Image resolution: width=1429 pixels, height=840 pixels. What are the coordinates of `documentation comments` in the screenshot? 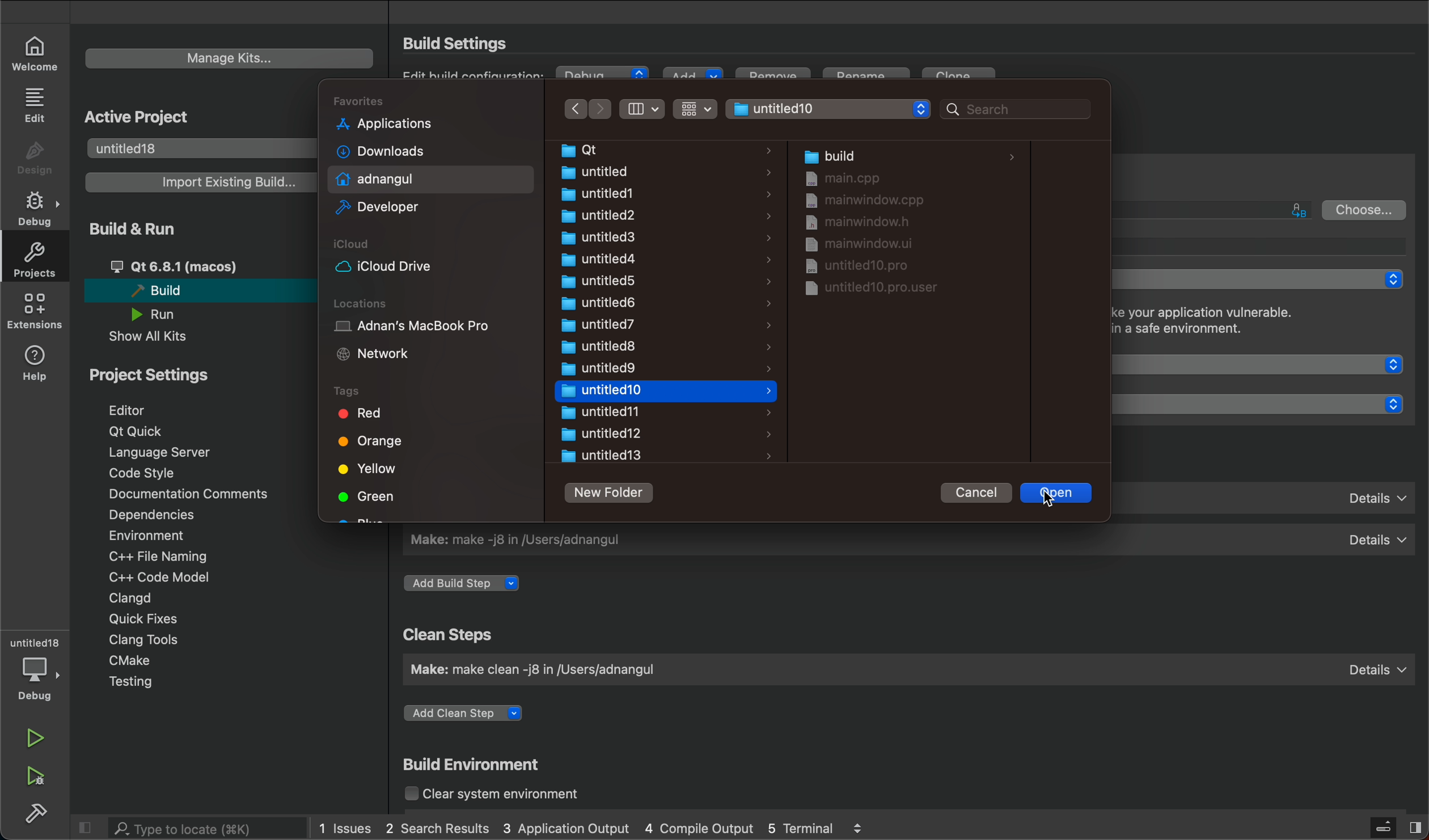 It's located at (205, 495).